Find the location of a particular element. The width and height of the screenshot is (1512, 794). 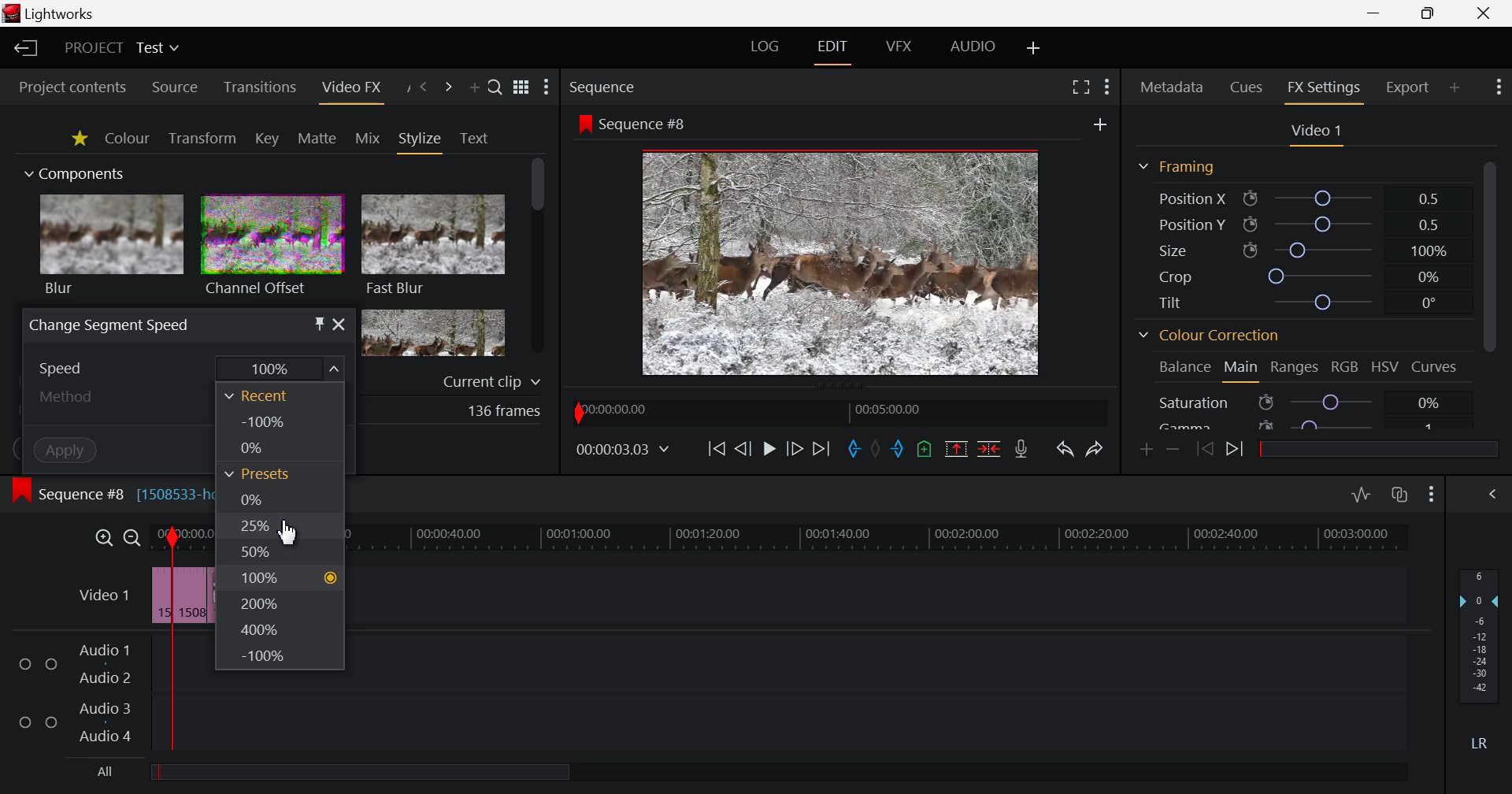

Size is located at coordinates (1299, 250).